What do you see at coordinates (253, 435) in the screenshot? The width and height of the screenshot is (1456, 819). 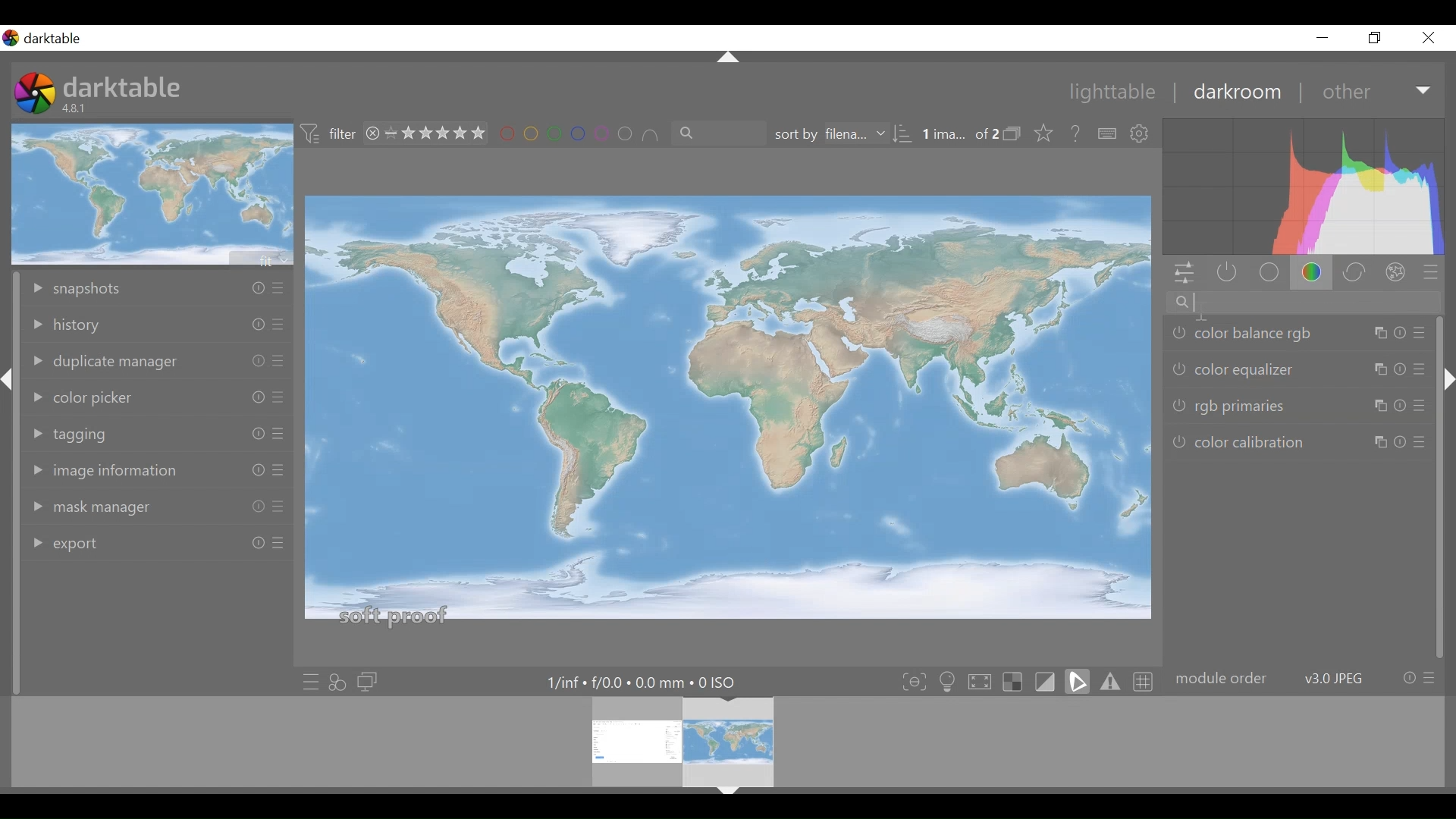 I see `` at bounding box center [253, 435].